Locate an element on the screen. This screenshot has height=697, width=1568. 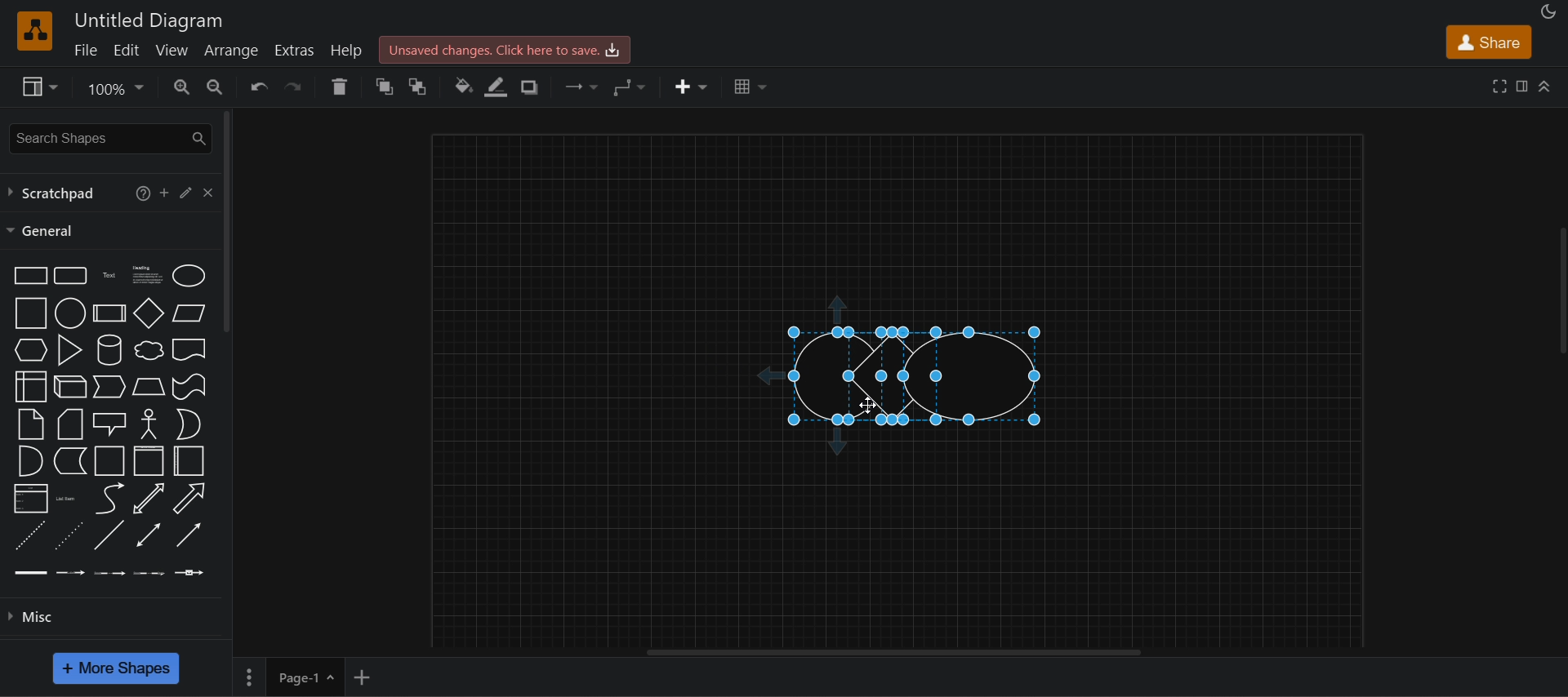
Bidirectional arrow is located at coordinates (149, 499).